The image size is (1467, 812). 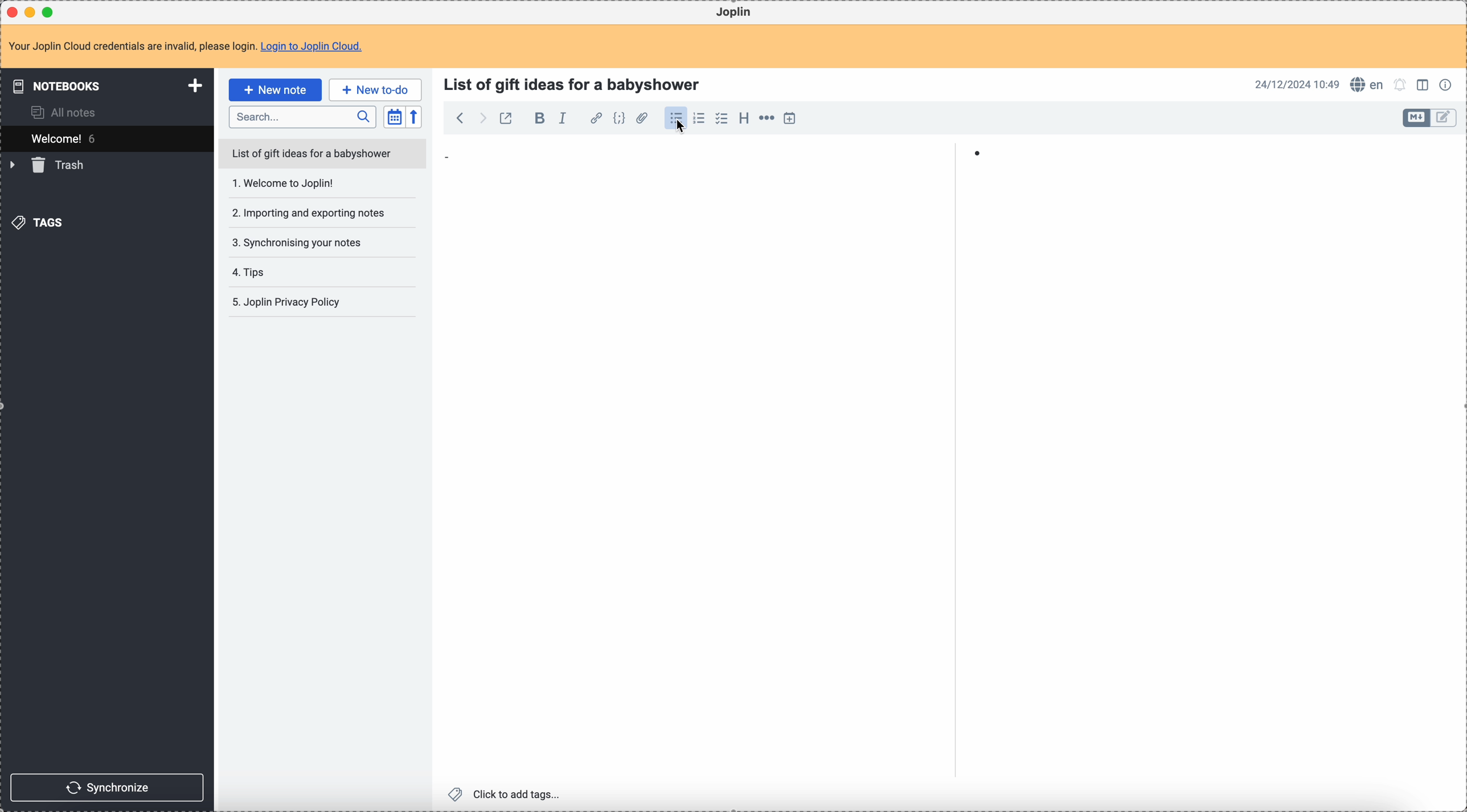 I want to click on horizontal rule, so click(x=768, y=119).